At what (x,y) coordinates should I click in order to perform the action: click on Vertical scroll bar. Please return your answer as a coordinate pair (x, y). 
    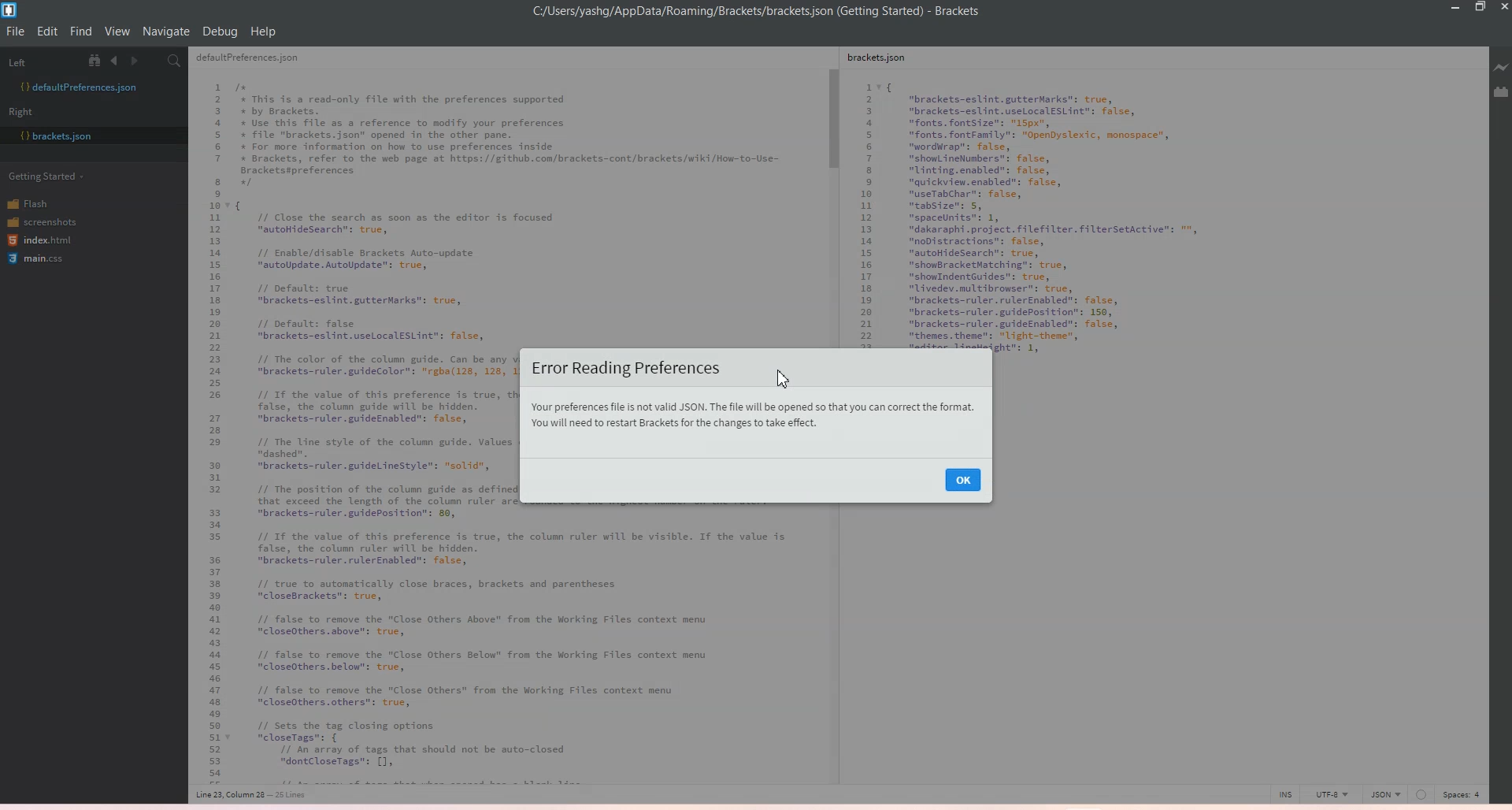
    Looking at the image, I should click on (832, 197).